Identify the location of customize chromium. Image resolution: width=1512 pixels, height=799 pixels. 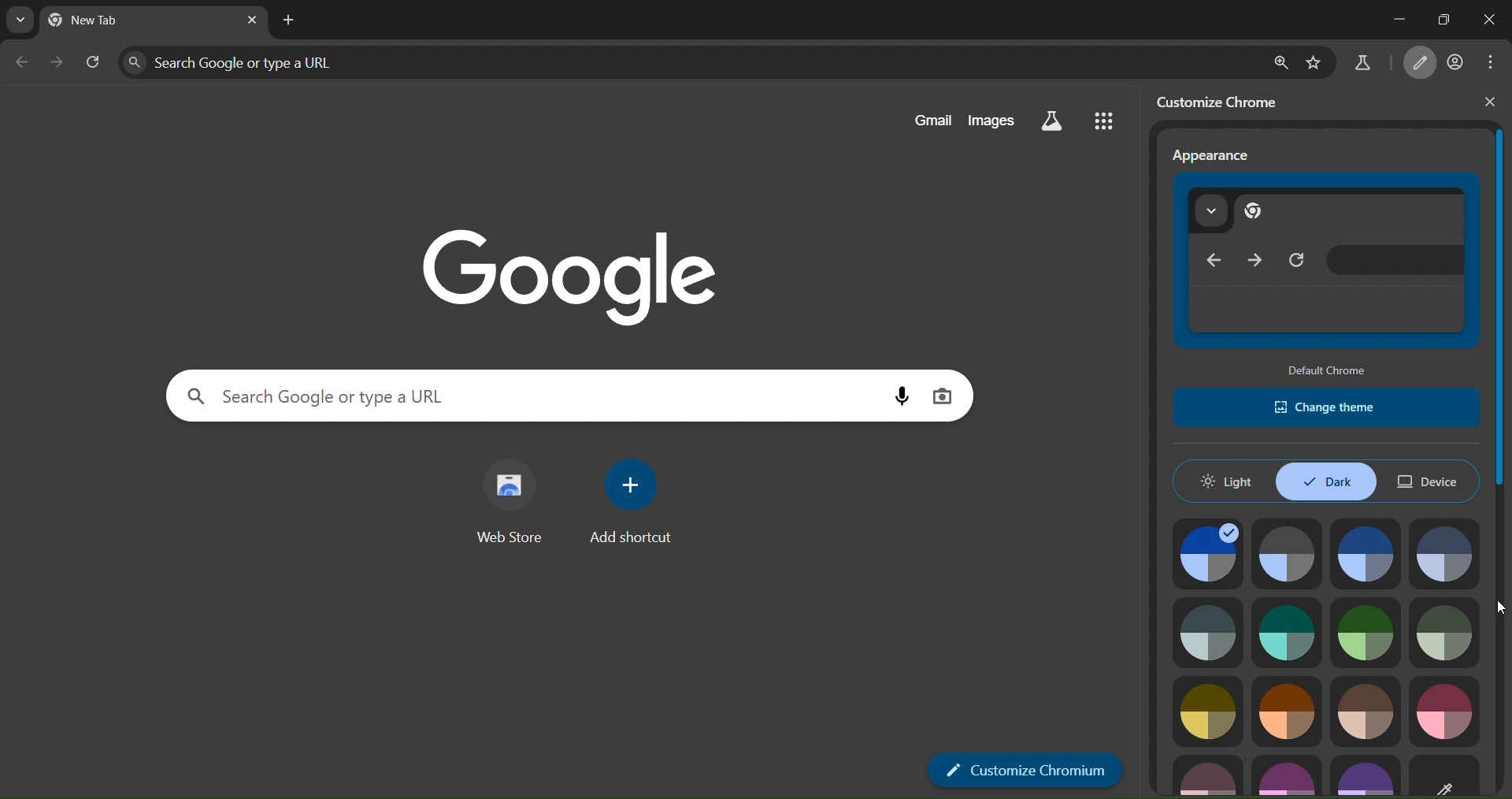
(1421, 62).